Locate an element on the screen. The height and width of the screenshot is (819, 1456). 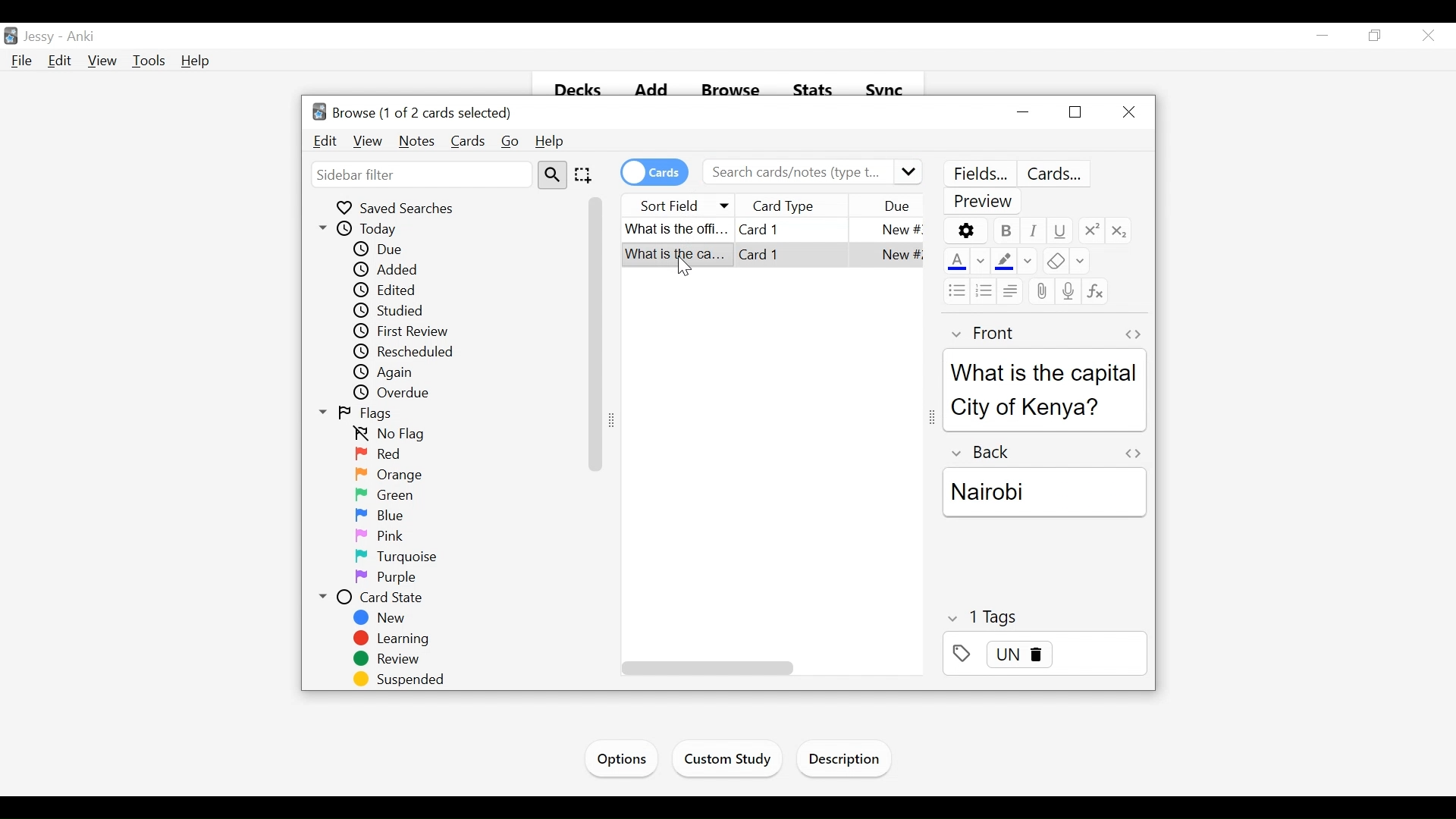
Equation is located at coordinates (1095, 291).